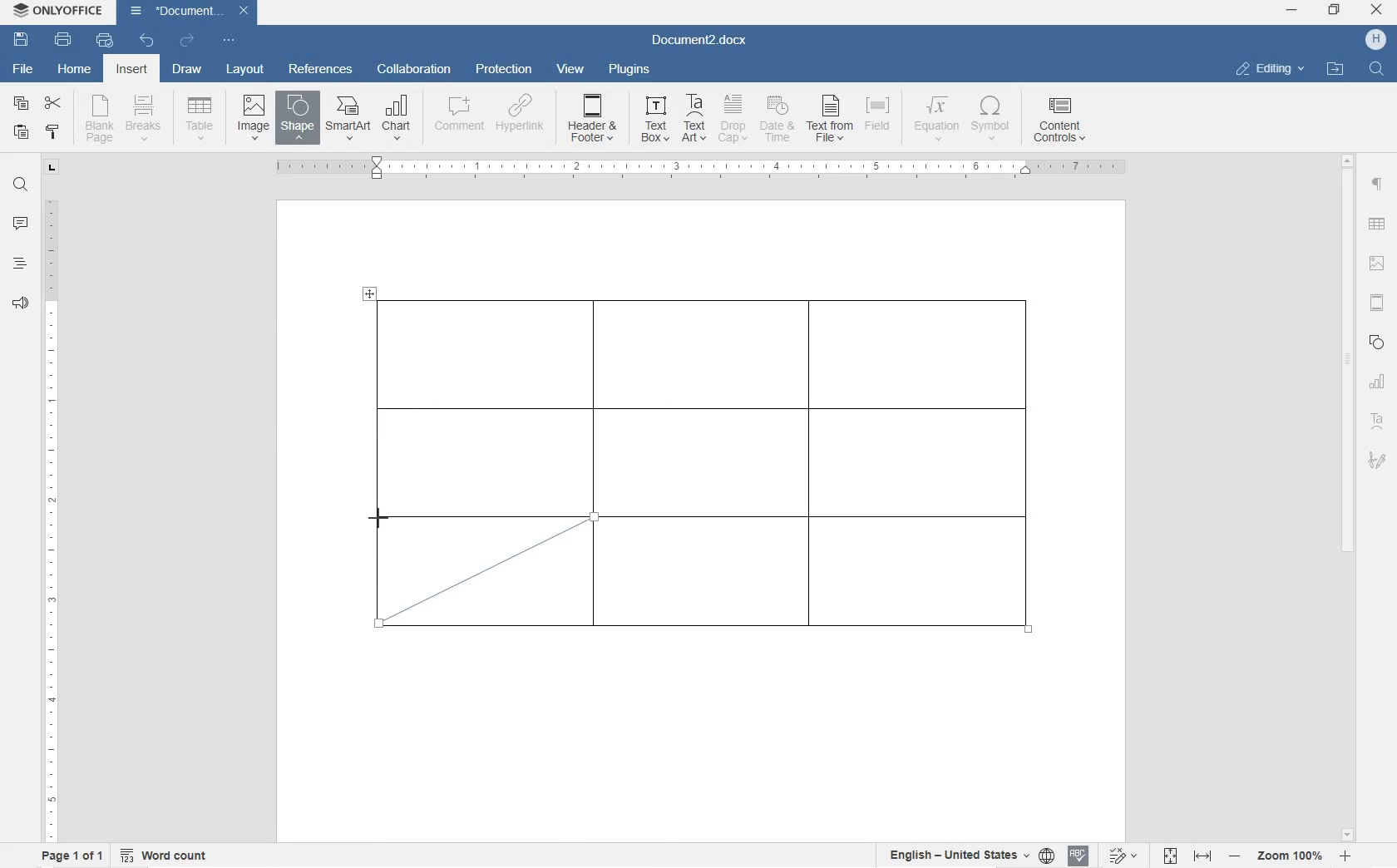 Image resolution: width=1397 pixels, height=868 pixels. I want to click on FIELD, so click(881, 121).